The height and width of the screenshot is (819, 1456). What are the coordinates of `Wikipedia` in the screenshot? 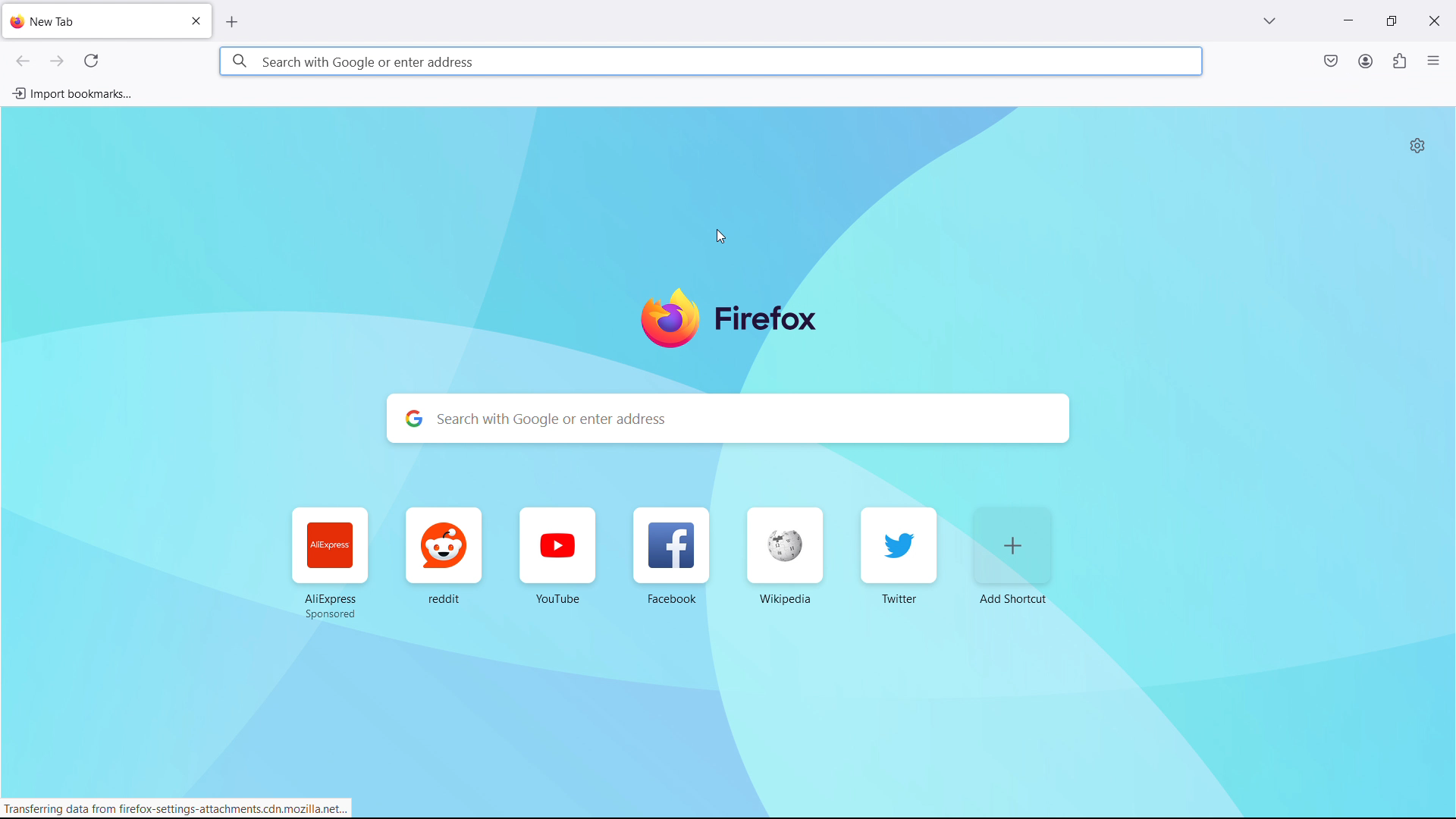 It's located at (781, 557).